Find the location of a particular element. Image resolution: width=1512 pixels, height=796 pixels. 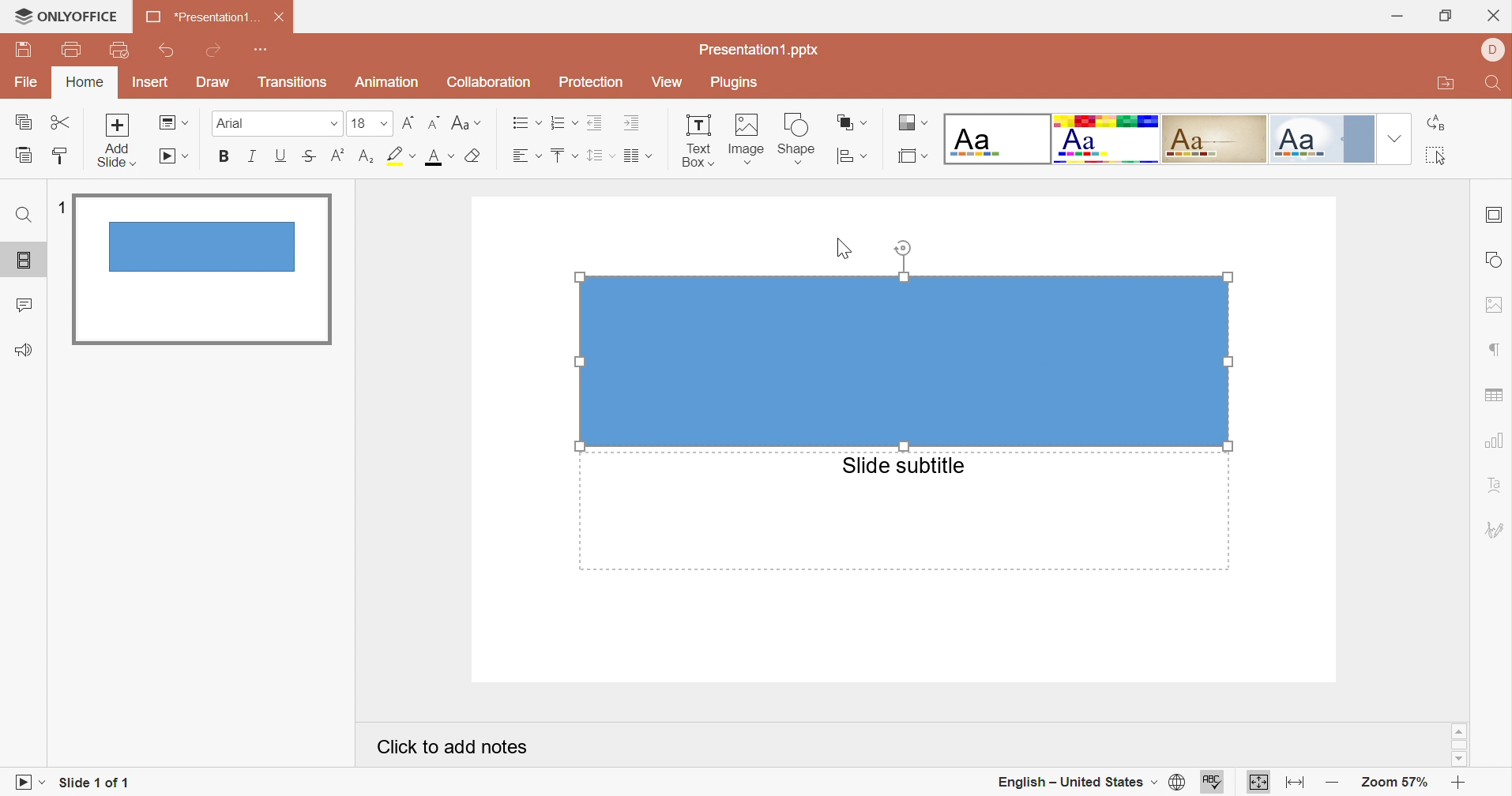

Text box is located at coordinates (698, 141).